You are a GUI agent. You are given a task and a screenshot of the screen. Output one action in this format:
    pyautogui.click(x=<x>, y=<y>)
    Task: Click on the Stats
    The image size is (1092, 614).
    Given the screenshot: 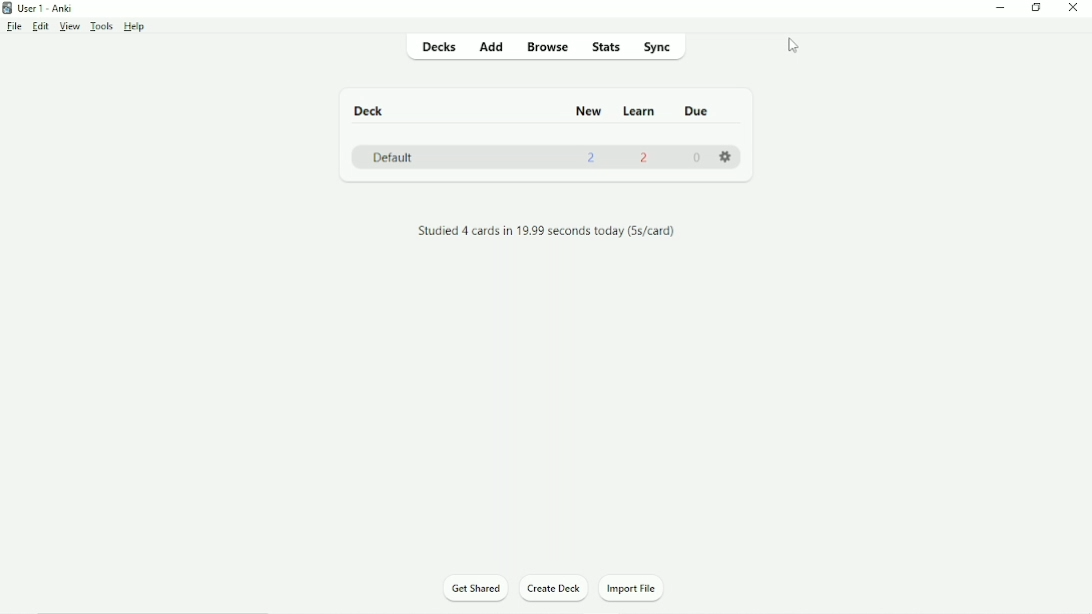 What is the action you would take?
    pyautogui.click(x=606, y=46)
    